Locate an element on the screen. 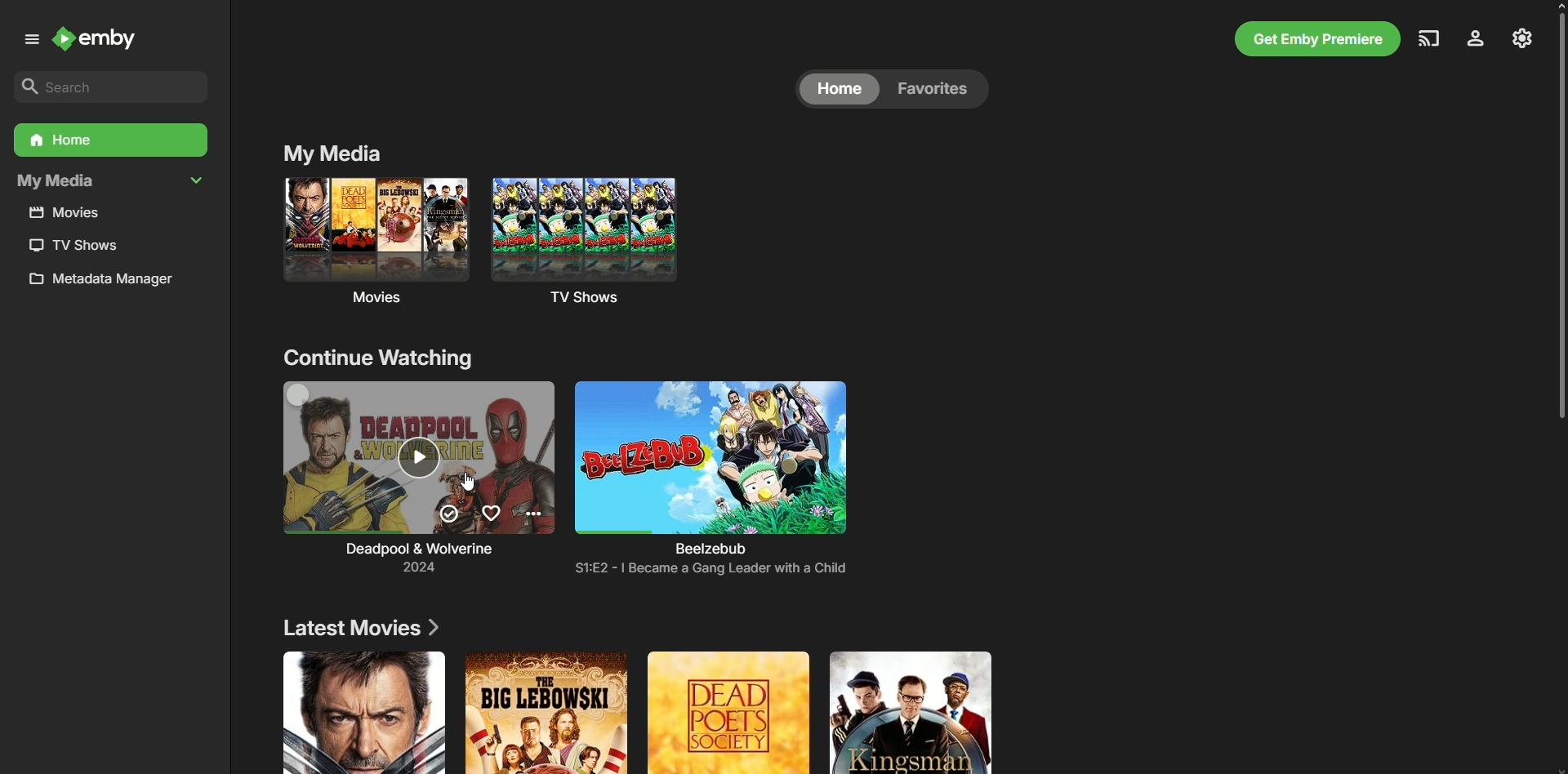  Movies is located at coordinates (371, 245).